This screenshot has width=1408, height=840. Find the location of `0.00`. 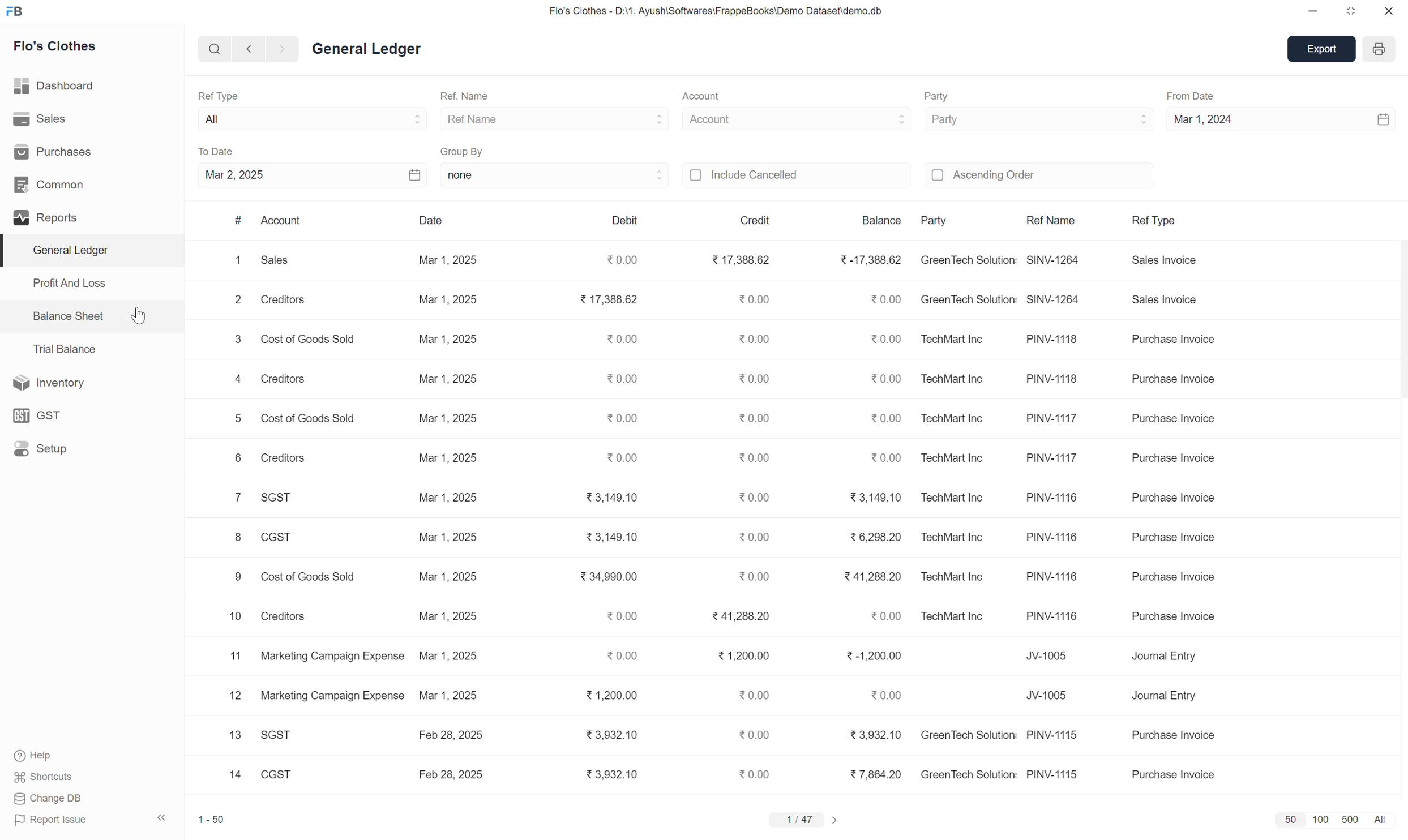

0.00 is located at coordinates (879, 616).